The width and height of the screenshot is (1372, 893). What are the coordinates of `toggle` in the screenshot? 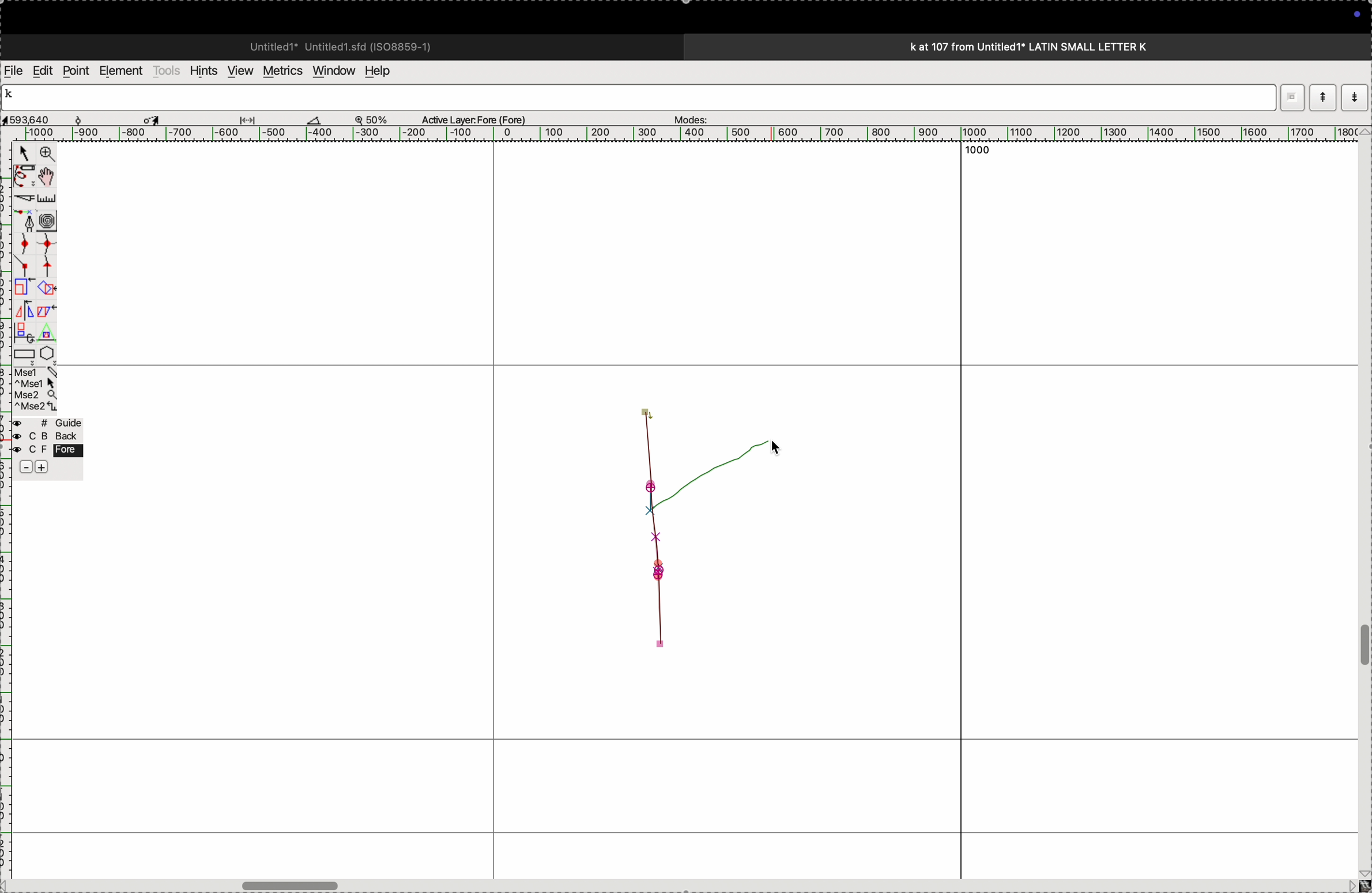 It's located at (1363, 646).